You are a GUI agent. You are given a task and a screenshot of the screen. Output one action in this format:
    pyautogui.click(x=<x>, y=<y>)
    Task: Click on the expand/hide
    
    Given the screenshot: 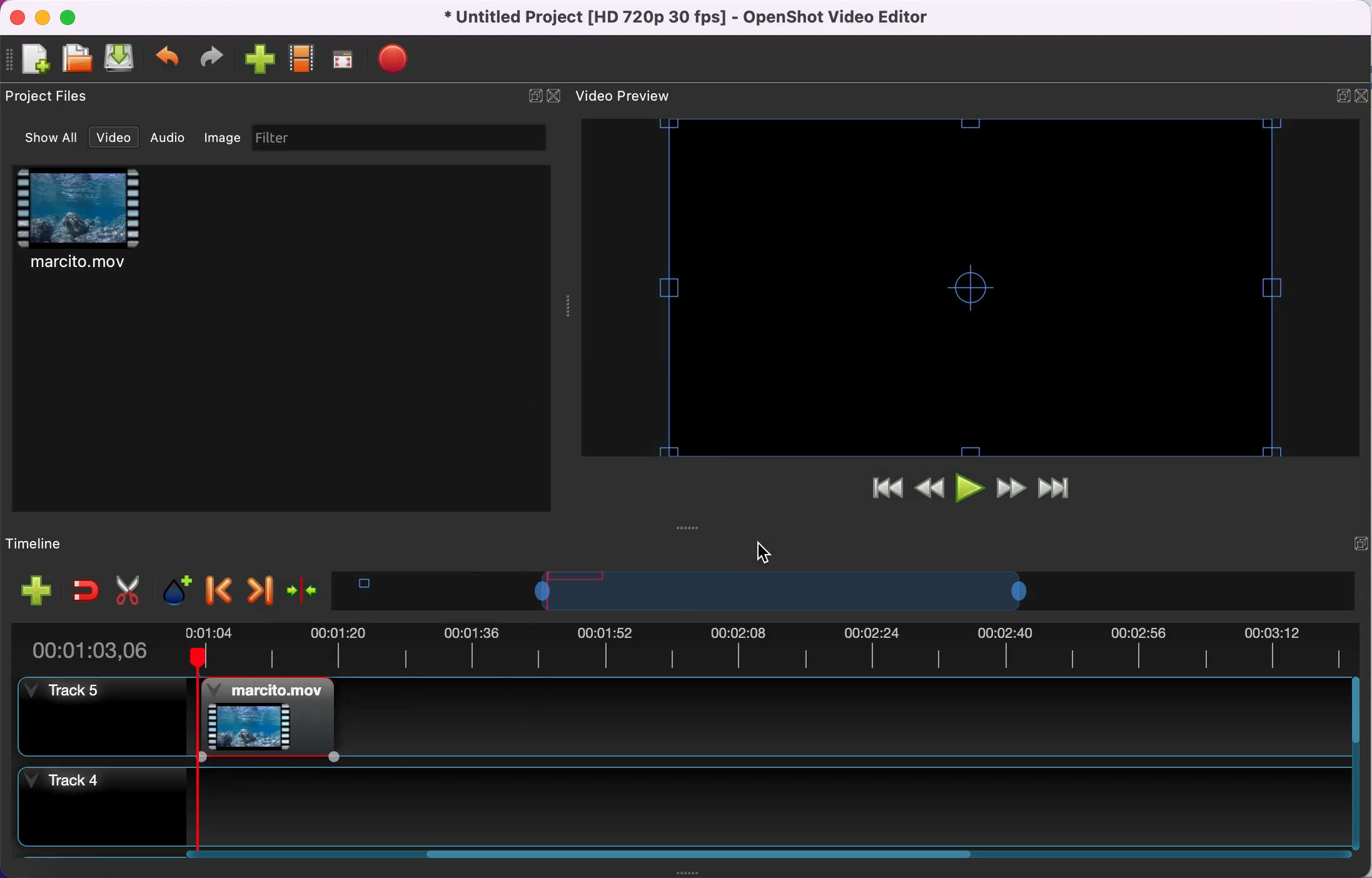 What is the action you would take?
    pyautogui.click(x=531, y=96)
    